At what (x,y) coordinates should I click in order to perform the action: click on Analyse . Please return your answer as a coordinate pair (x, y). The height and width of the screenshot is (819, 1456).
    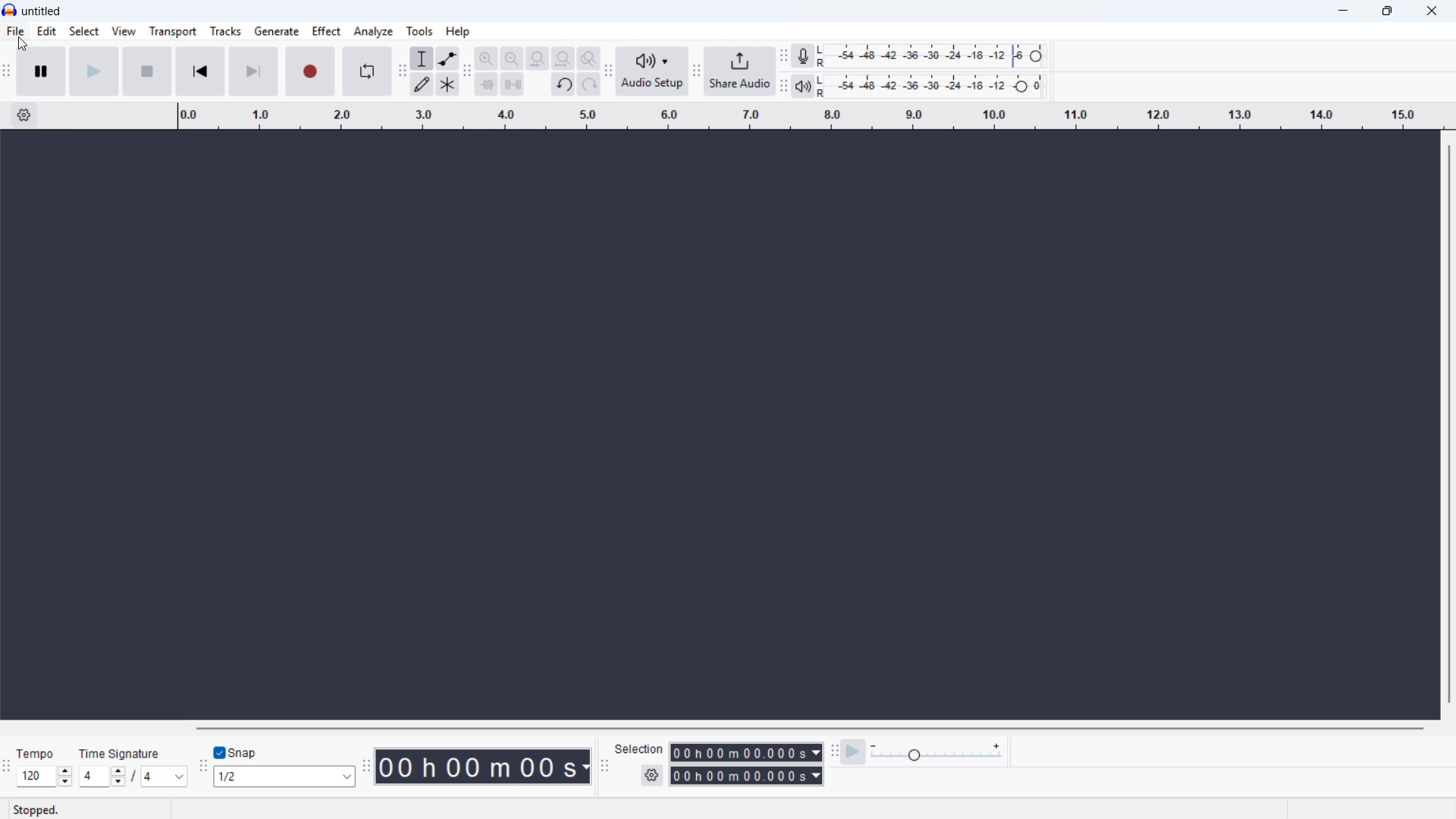
    Looking at the image, I should click on (372, 31).